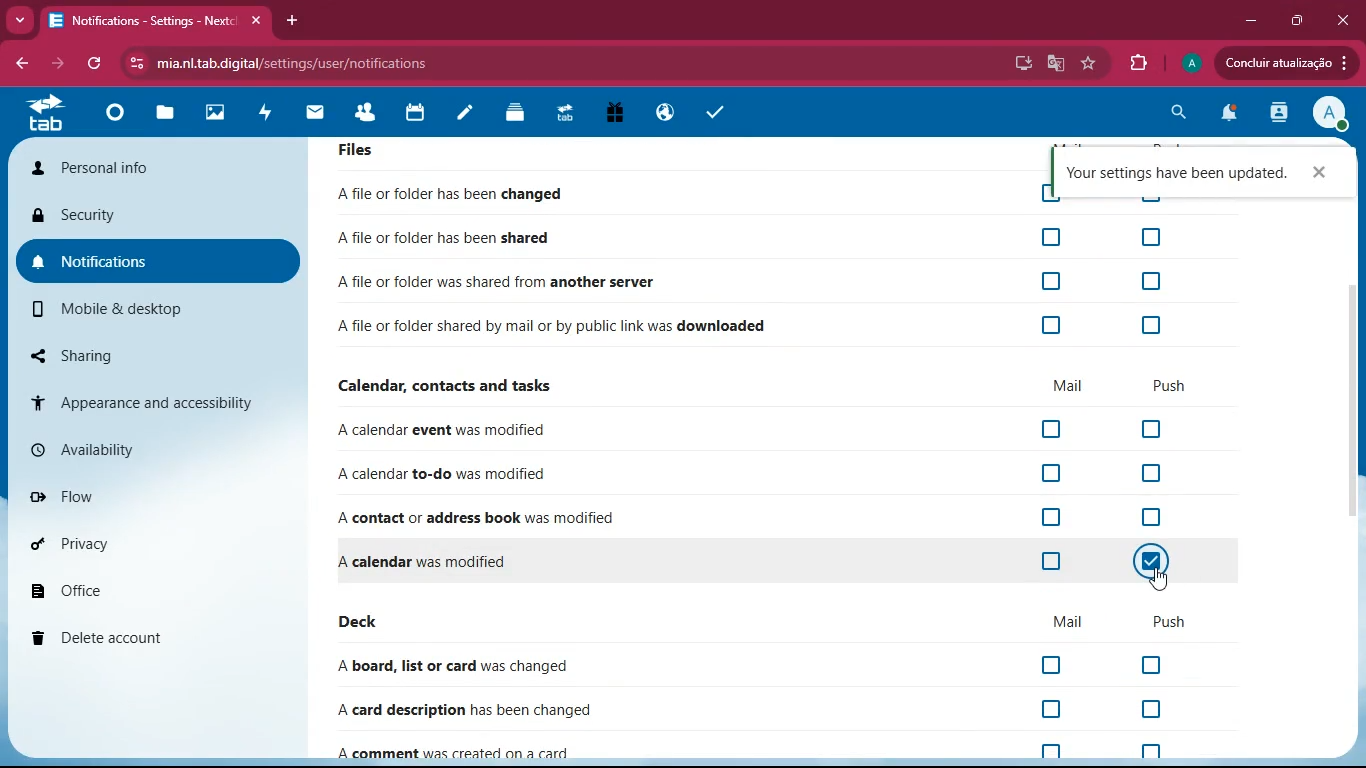  Describe the element at coordinates (417, 116) in the screenshot. I see `calendar` at that location.